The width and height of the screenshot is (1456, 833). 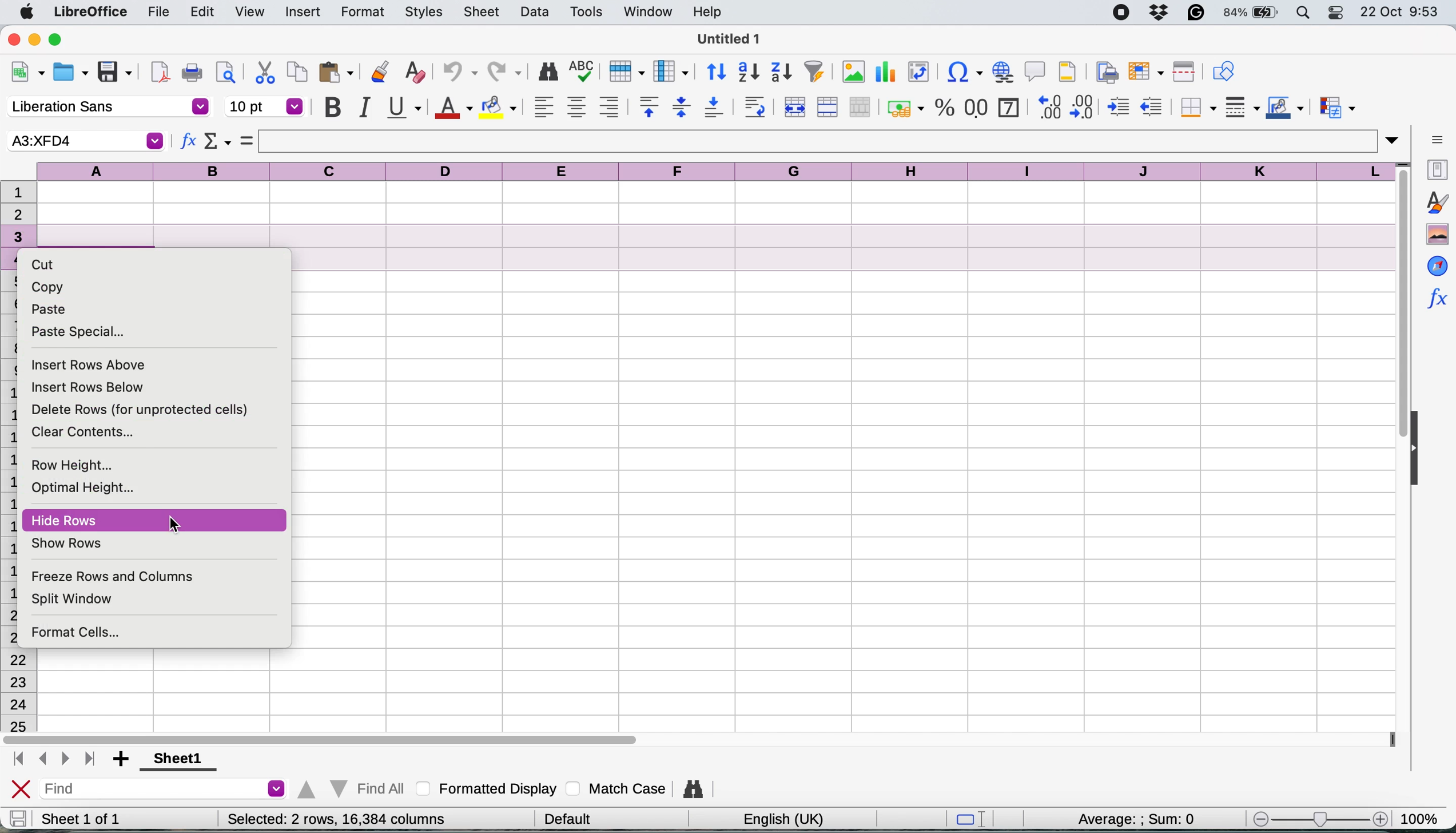 I want to click on show draw functions, so click(x=1223, y=70).